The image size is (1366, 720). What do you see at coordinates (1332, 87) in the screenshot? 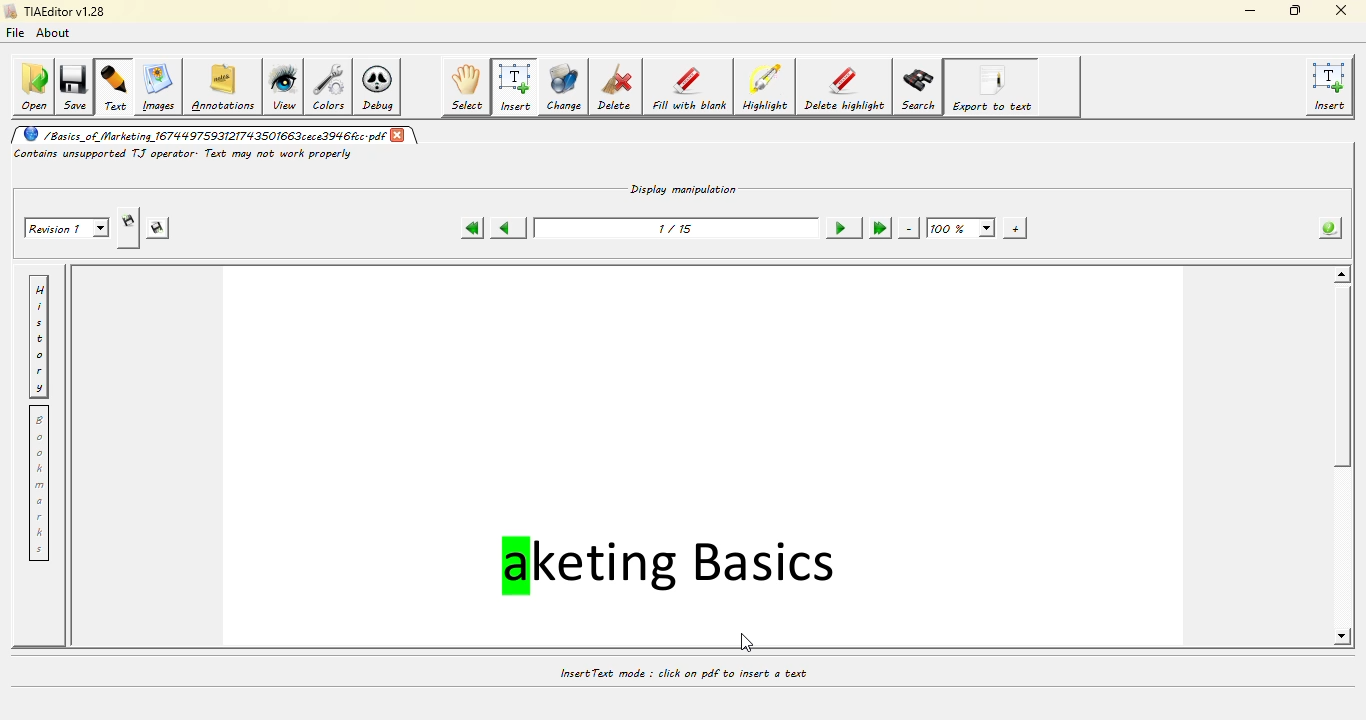
I see `insert` at bounding box center [1332, 87].